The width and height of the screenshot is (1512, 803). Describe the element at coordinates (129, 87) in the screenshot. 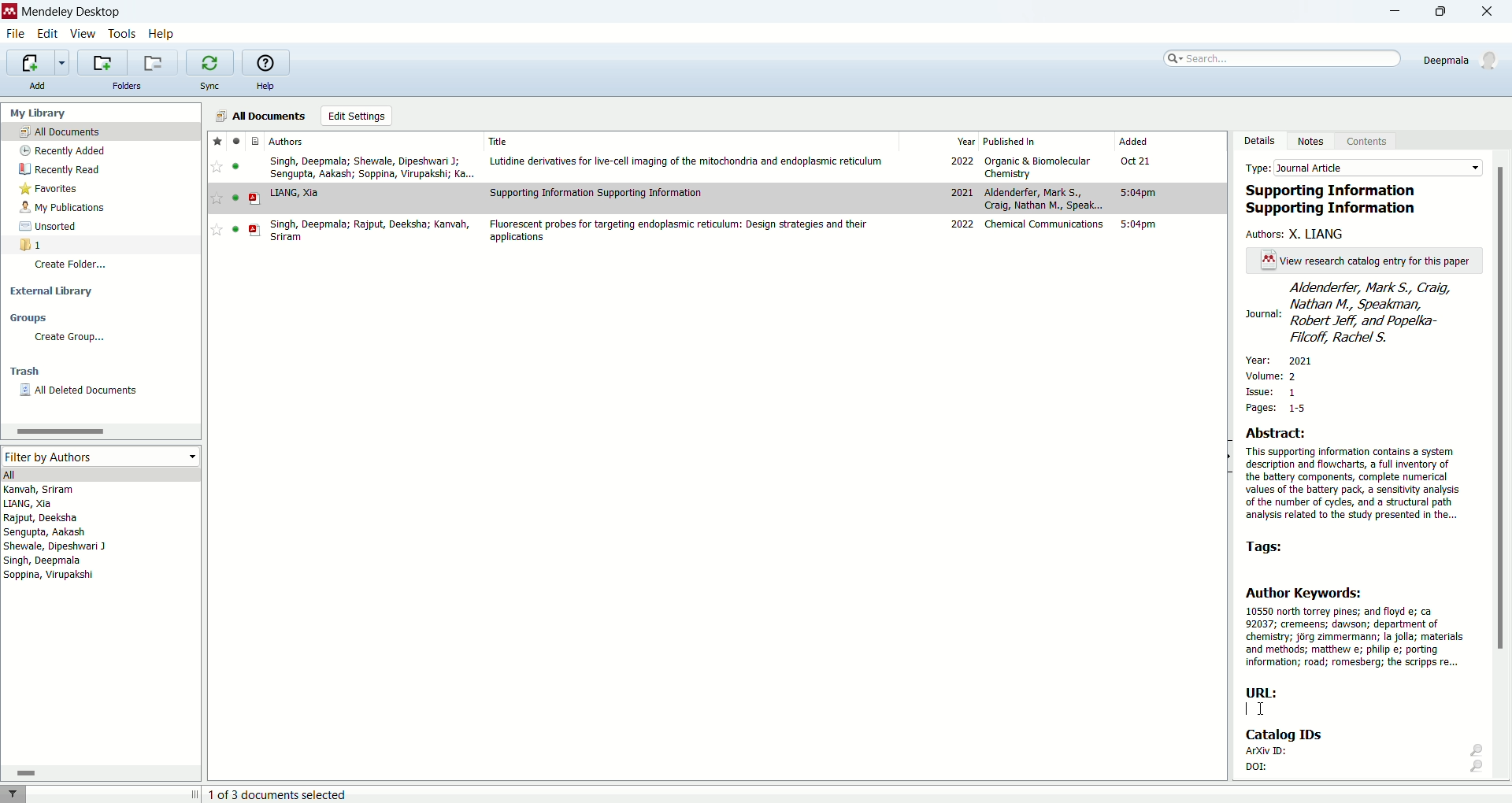

I see `folders` at that location.